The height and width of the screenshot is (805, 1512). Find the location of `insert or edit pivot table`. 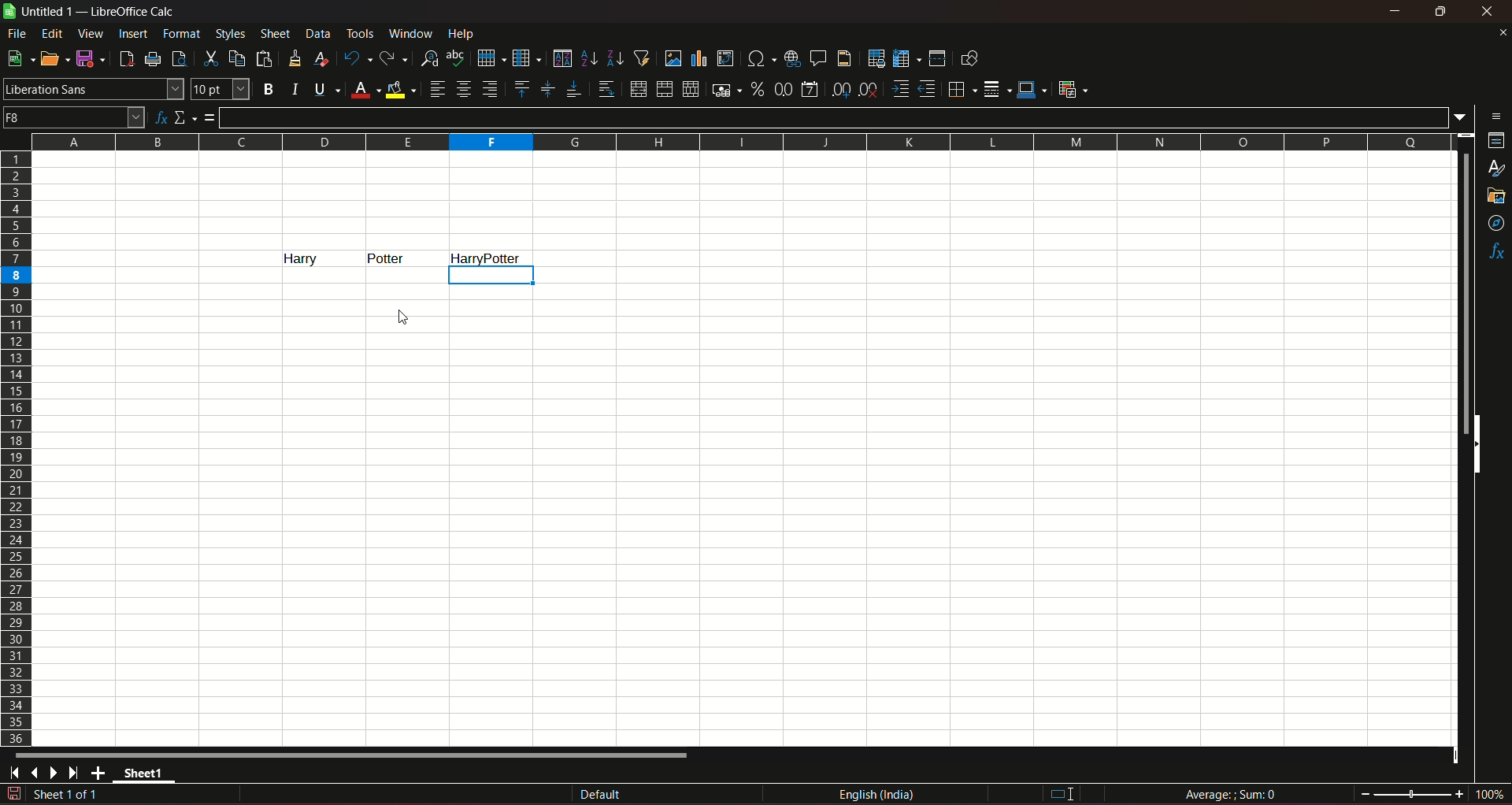

insert or edit pivot table is located at coordinates (726, 57).